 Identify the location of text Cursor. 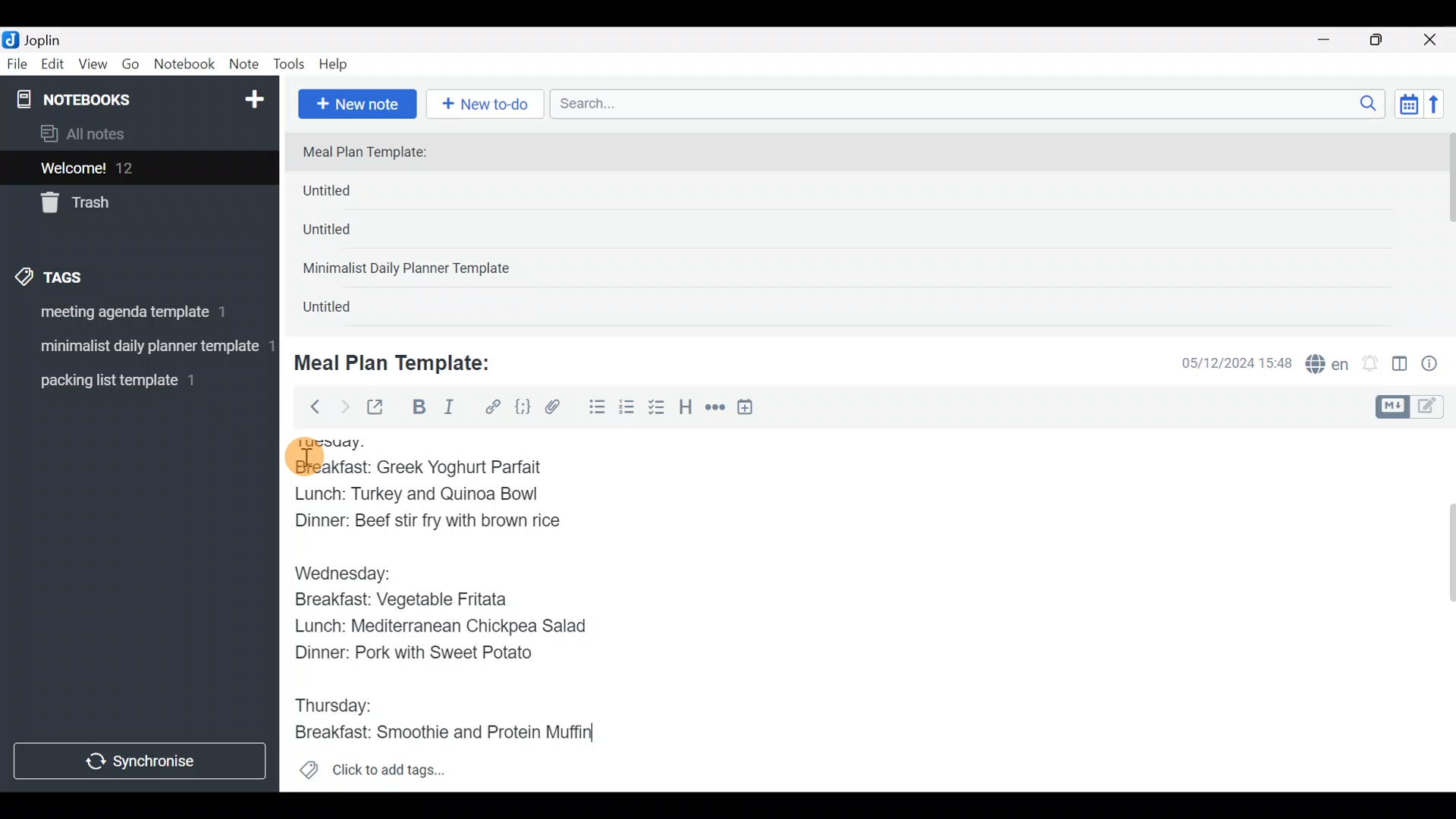
(609, 733).